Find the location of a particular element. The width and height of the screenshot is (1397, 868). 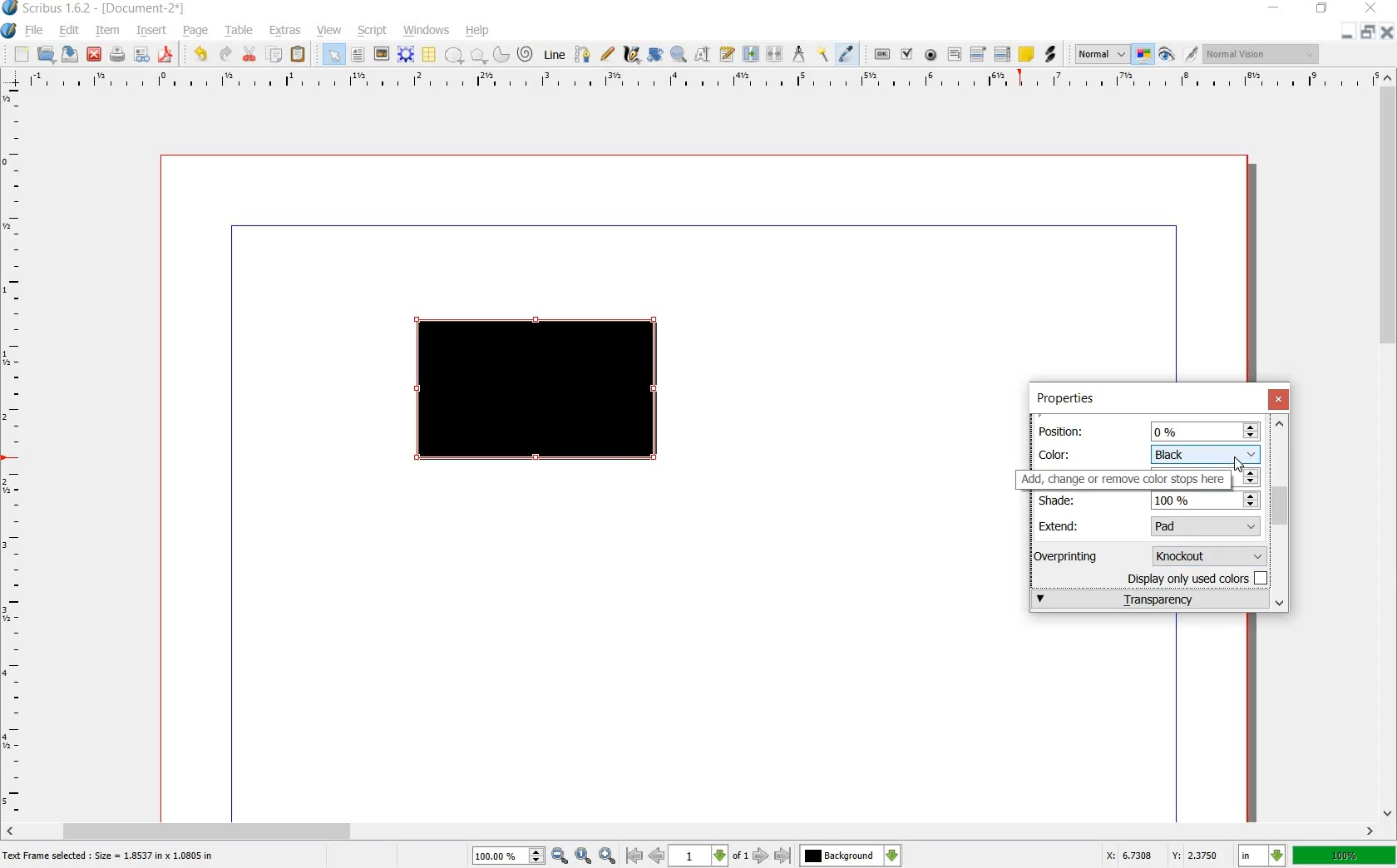

pdf list box is located at coordinates (1002, 53).